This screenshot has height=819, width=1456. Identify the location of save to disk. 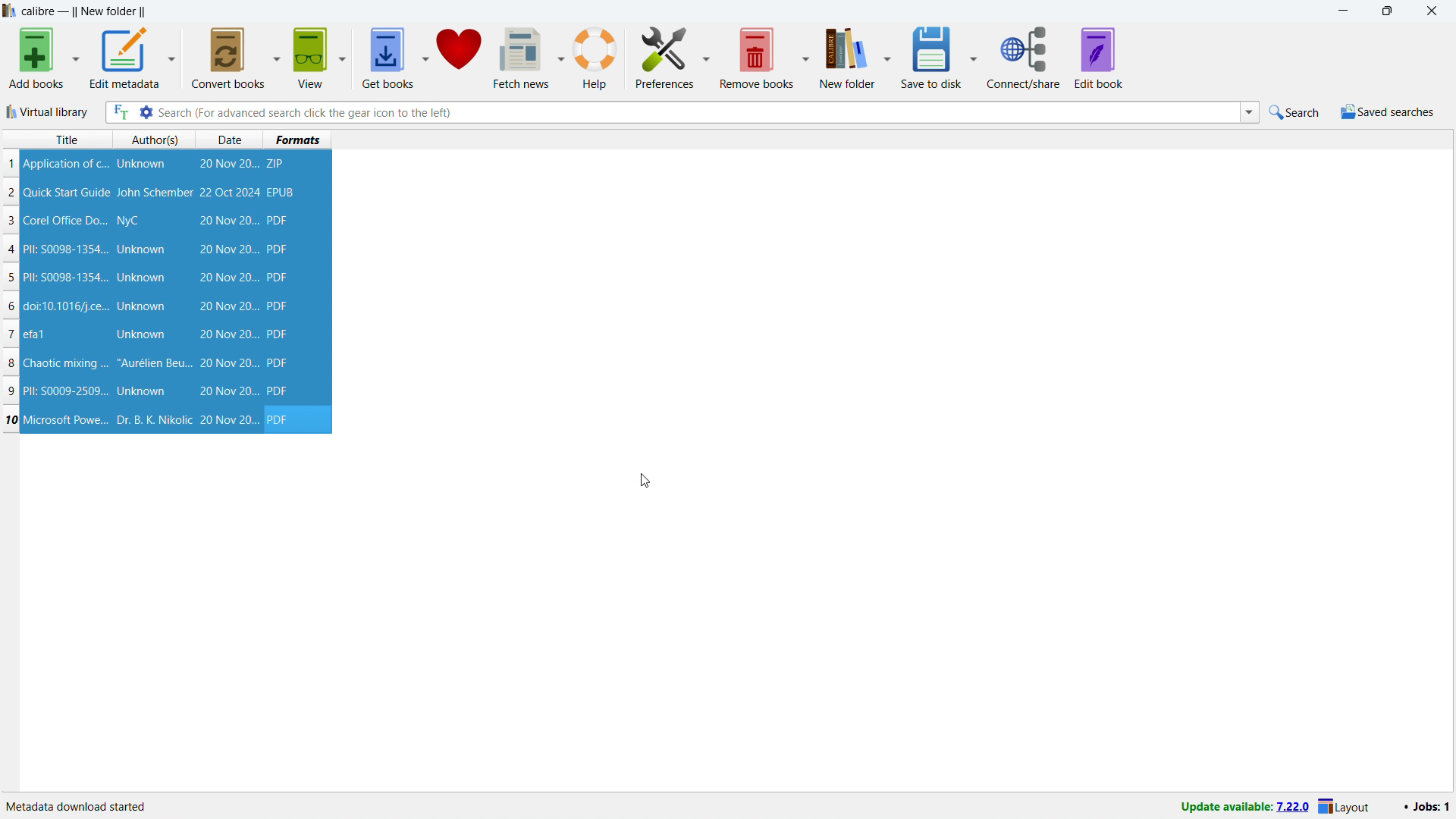
(933, 56).